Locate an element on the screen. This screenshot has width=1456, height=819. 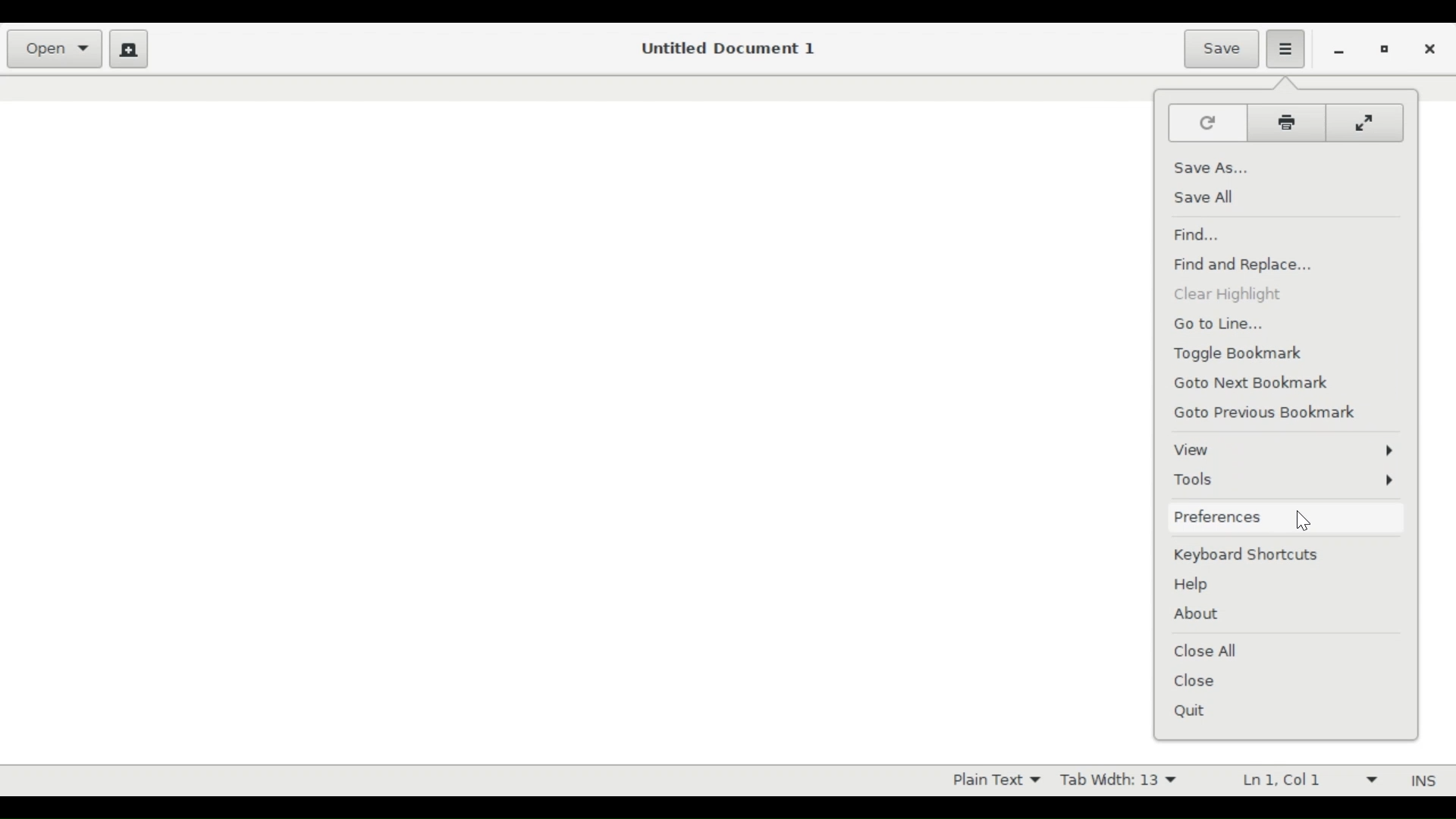
Restore is located at coordinates (1386, 50).